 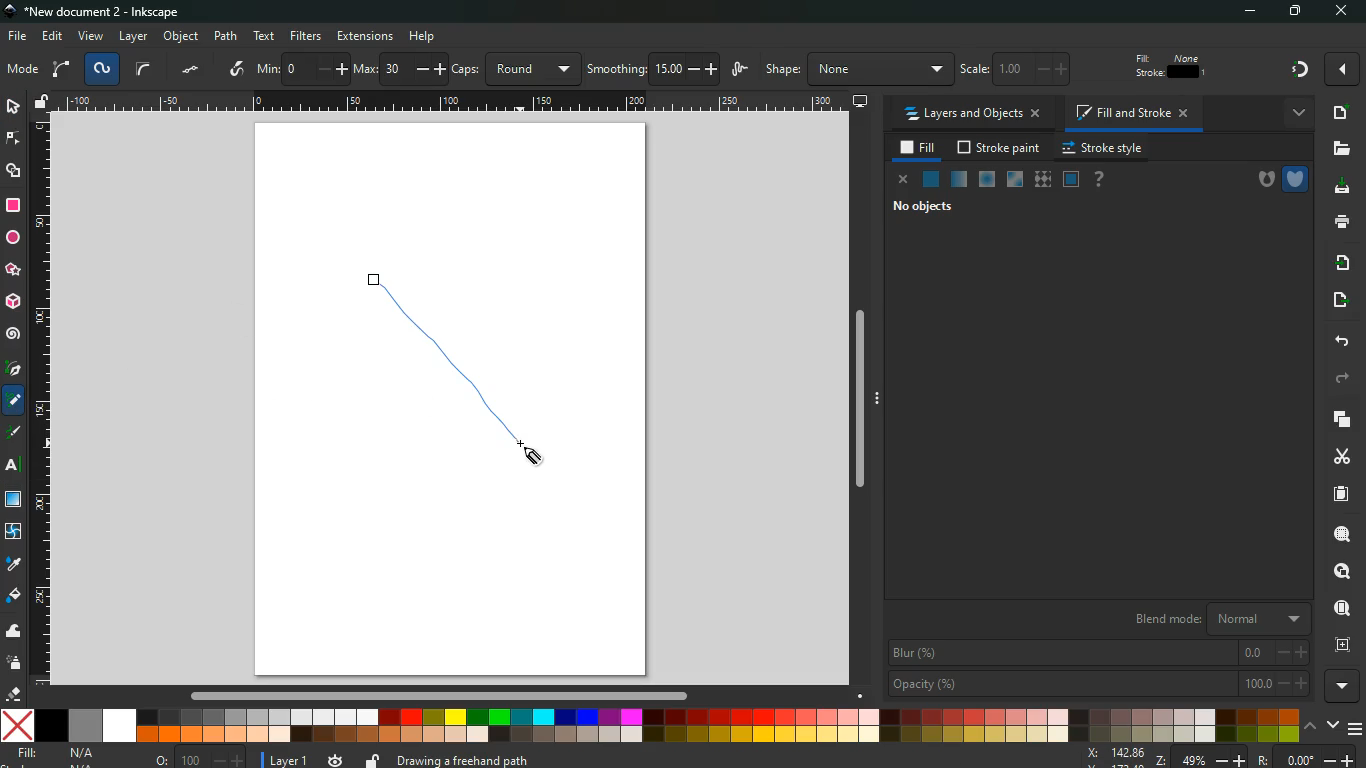 What do you see at coordinates (1340, 342) in the screenshot?
I see `back` at bounding box center [1340, 342].